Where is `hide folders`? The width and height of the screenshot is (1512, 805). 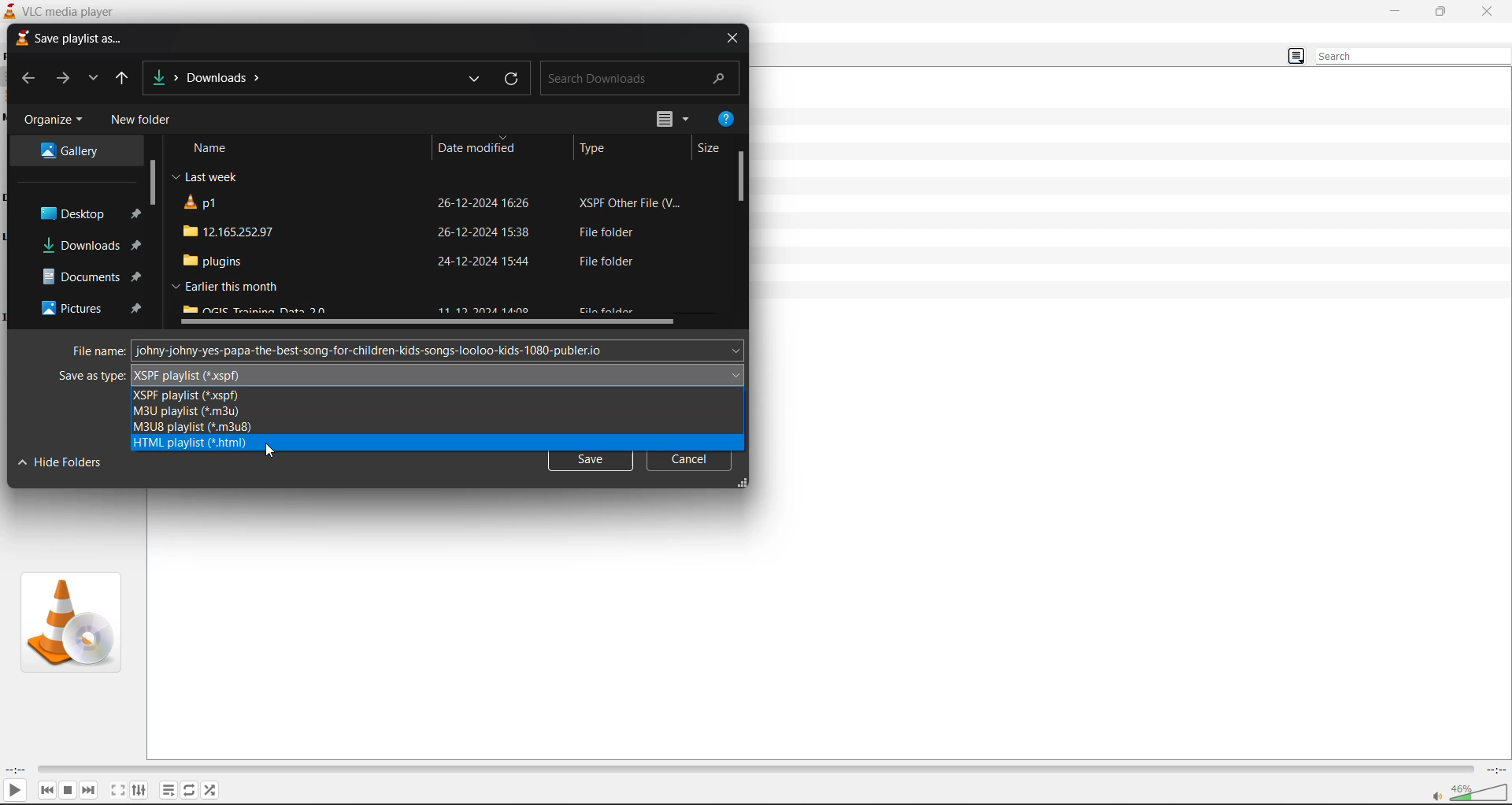
hide folders is located at coordinates (61, 462).